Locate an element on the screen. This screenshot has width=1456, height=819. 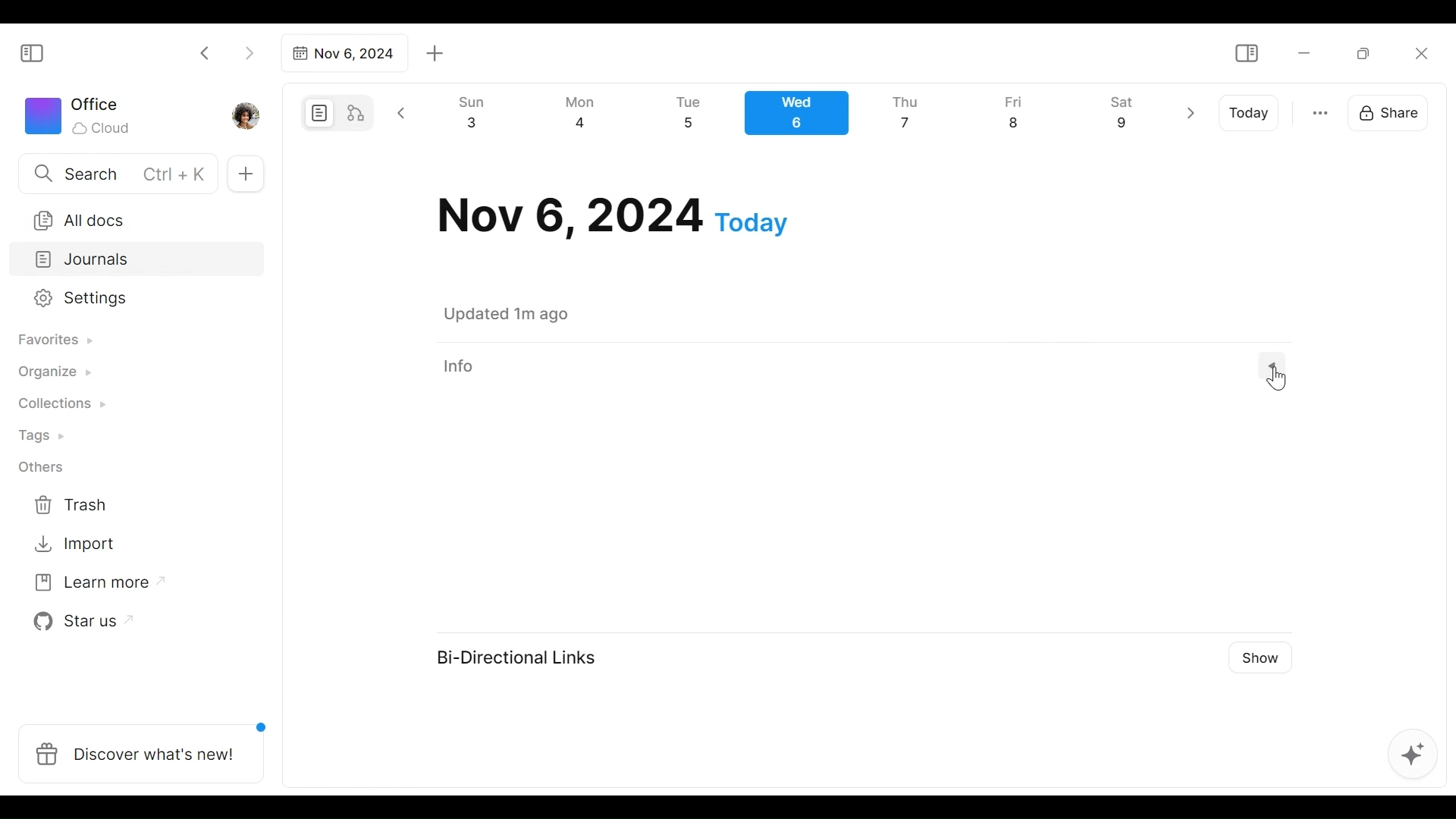
Click to go back is located at coordinates (206, 52).